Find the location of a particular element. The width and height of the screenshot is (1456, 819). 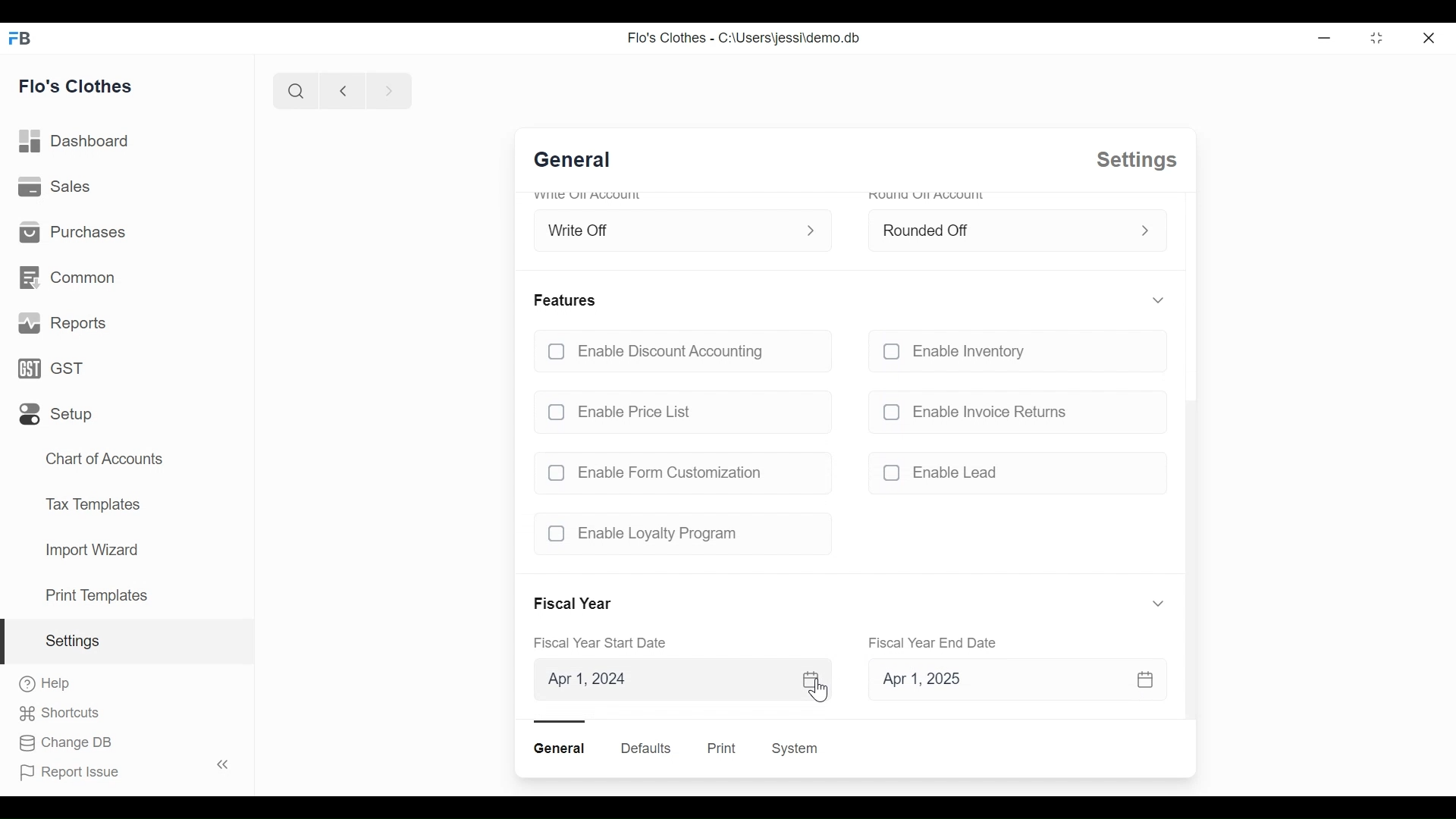

Defaults is located at coordinates (646, 748).